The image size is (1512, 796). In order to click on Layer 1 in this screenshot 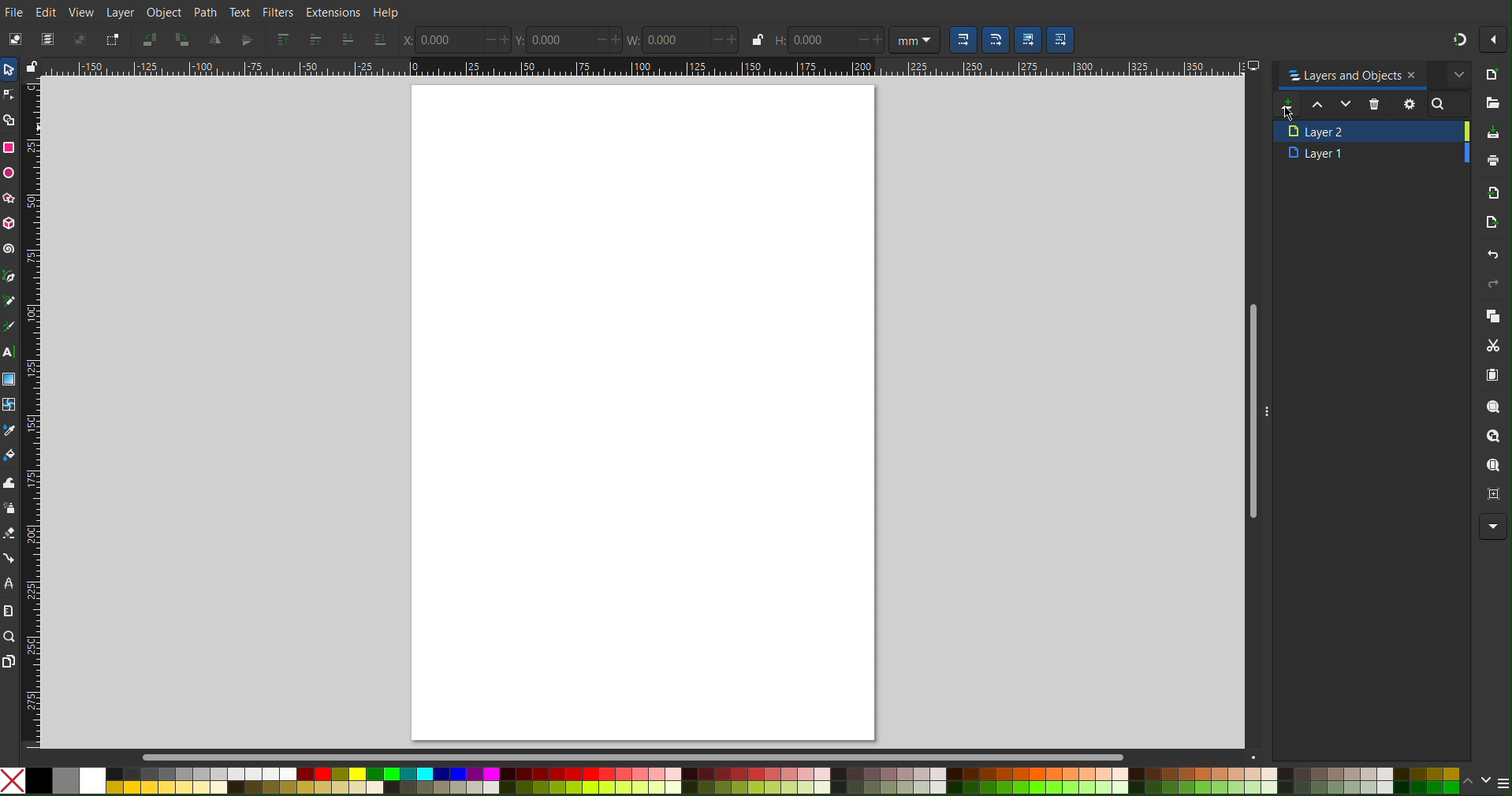, I will do `click(1372, 154)`.